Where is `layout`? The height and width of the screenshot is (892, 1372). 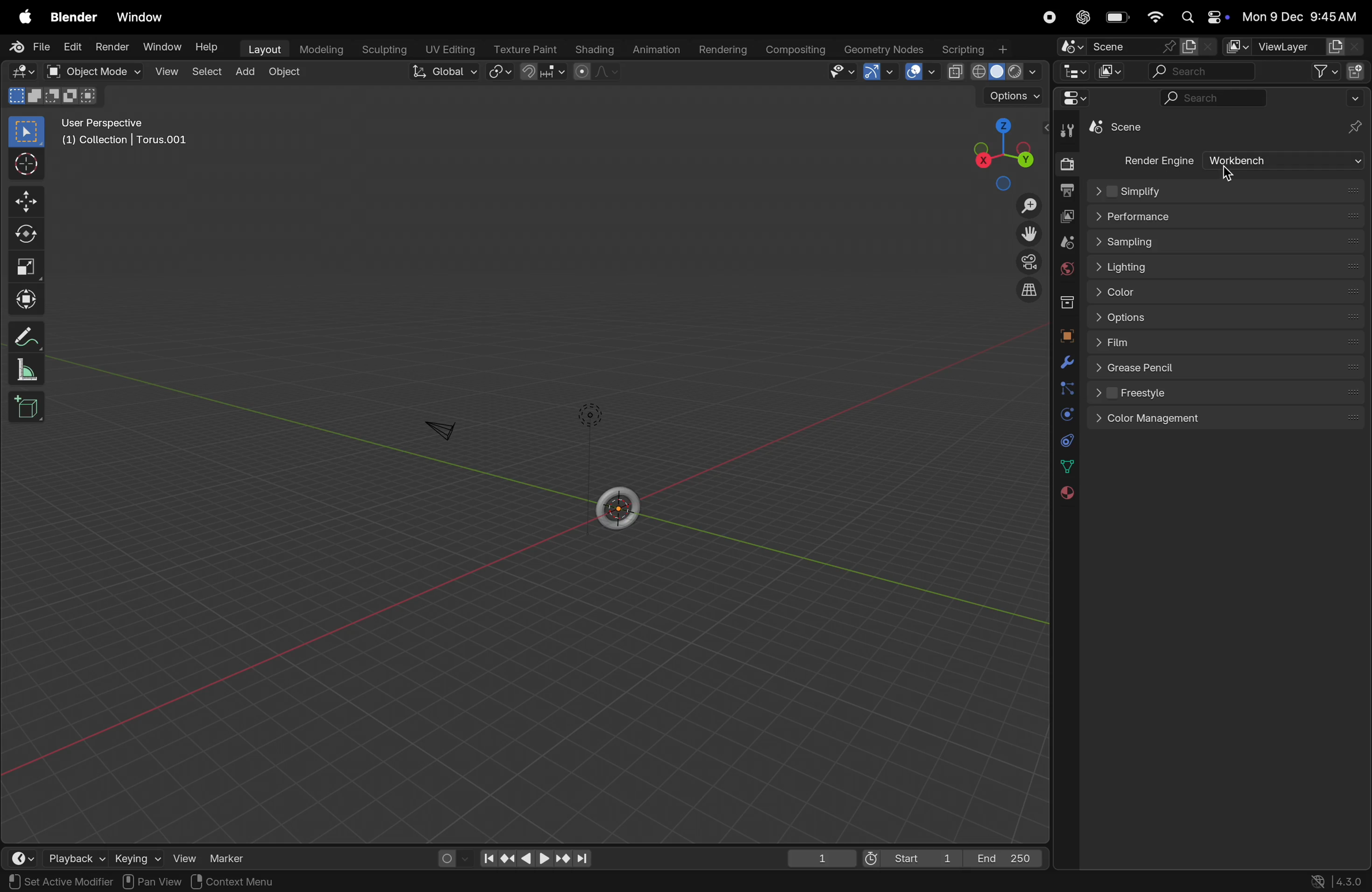
layout is located at coordinates (263, 48).